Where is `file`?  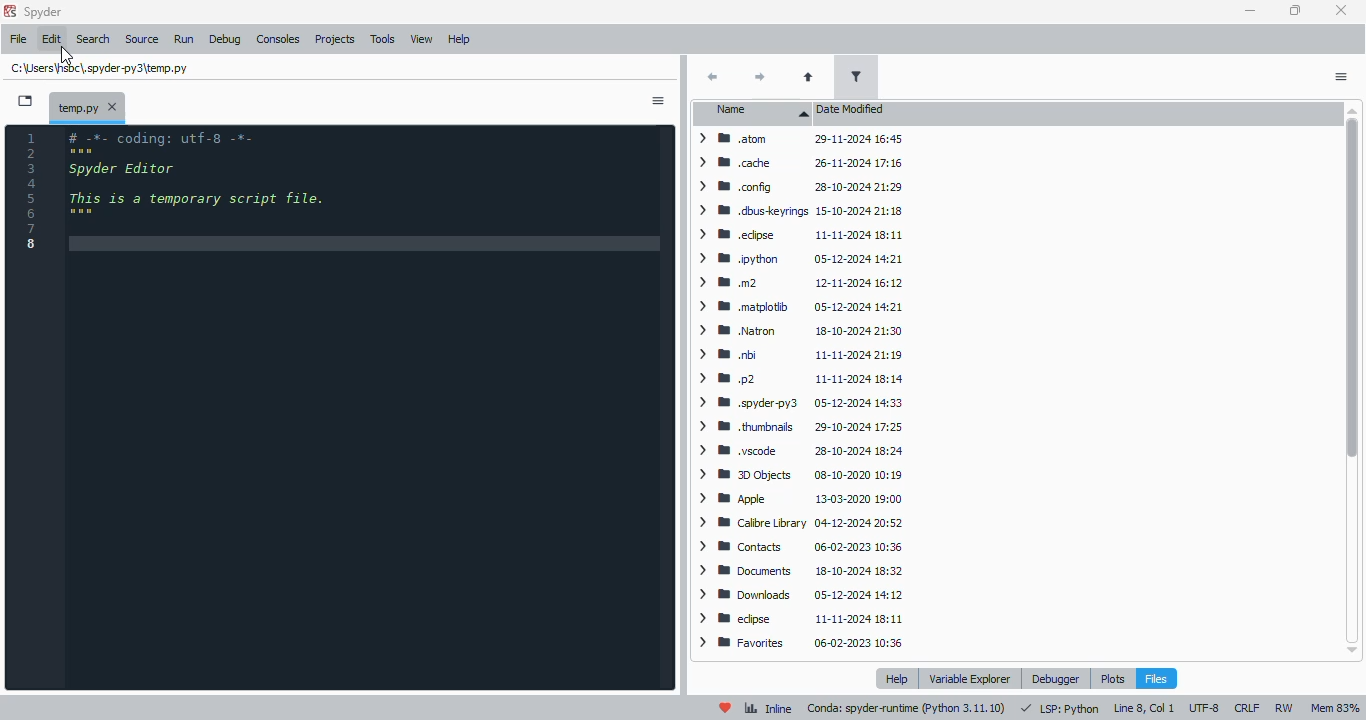
file is located at coordinates (19, 39).